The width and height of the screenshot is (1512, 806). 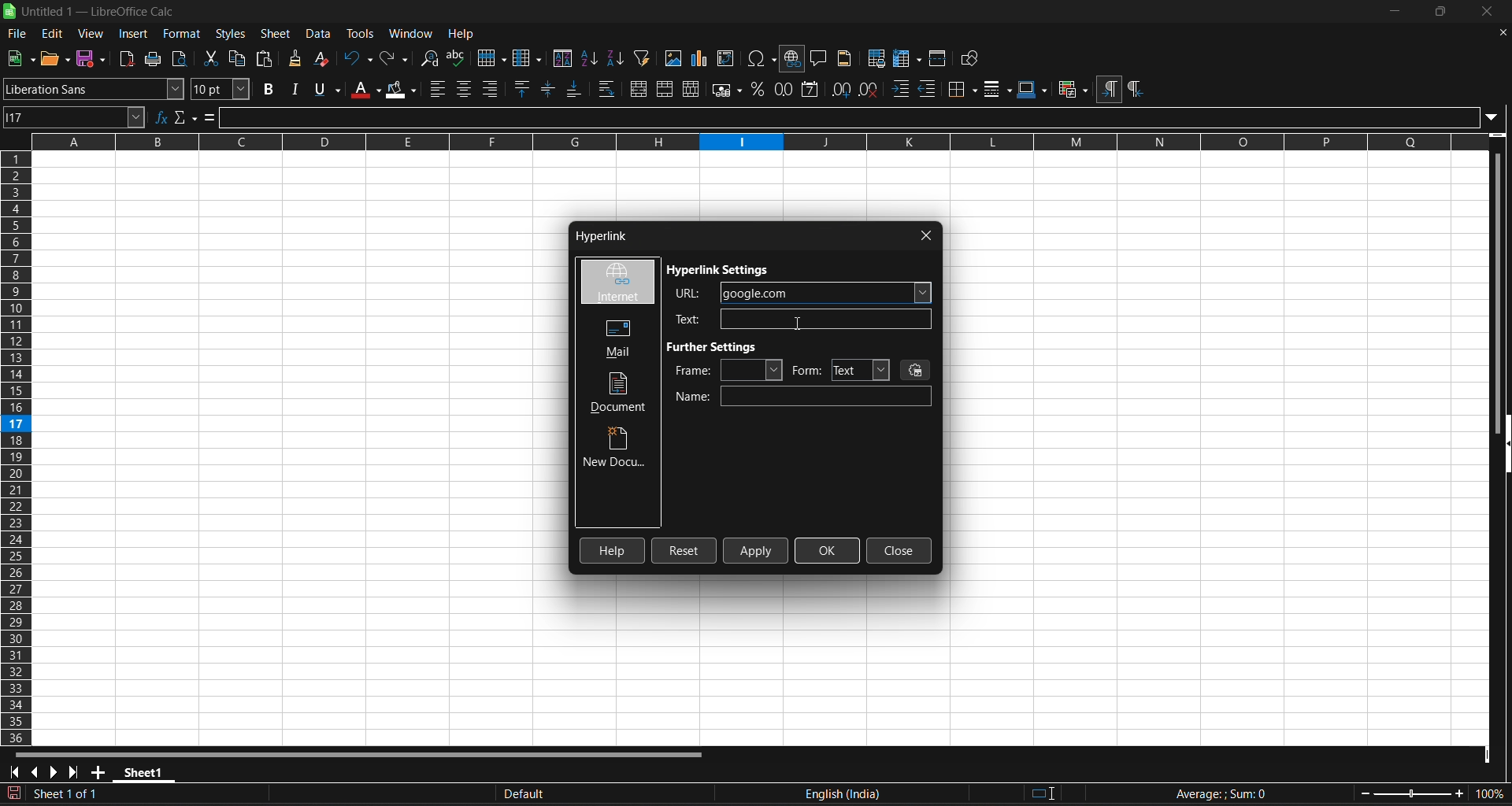 What do you see at coordinates (803, 397) in the screenshot?
I see `name` at bounding box center [803, 397].